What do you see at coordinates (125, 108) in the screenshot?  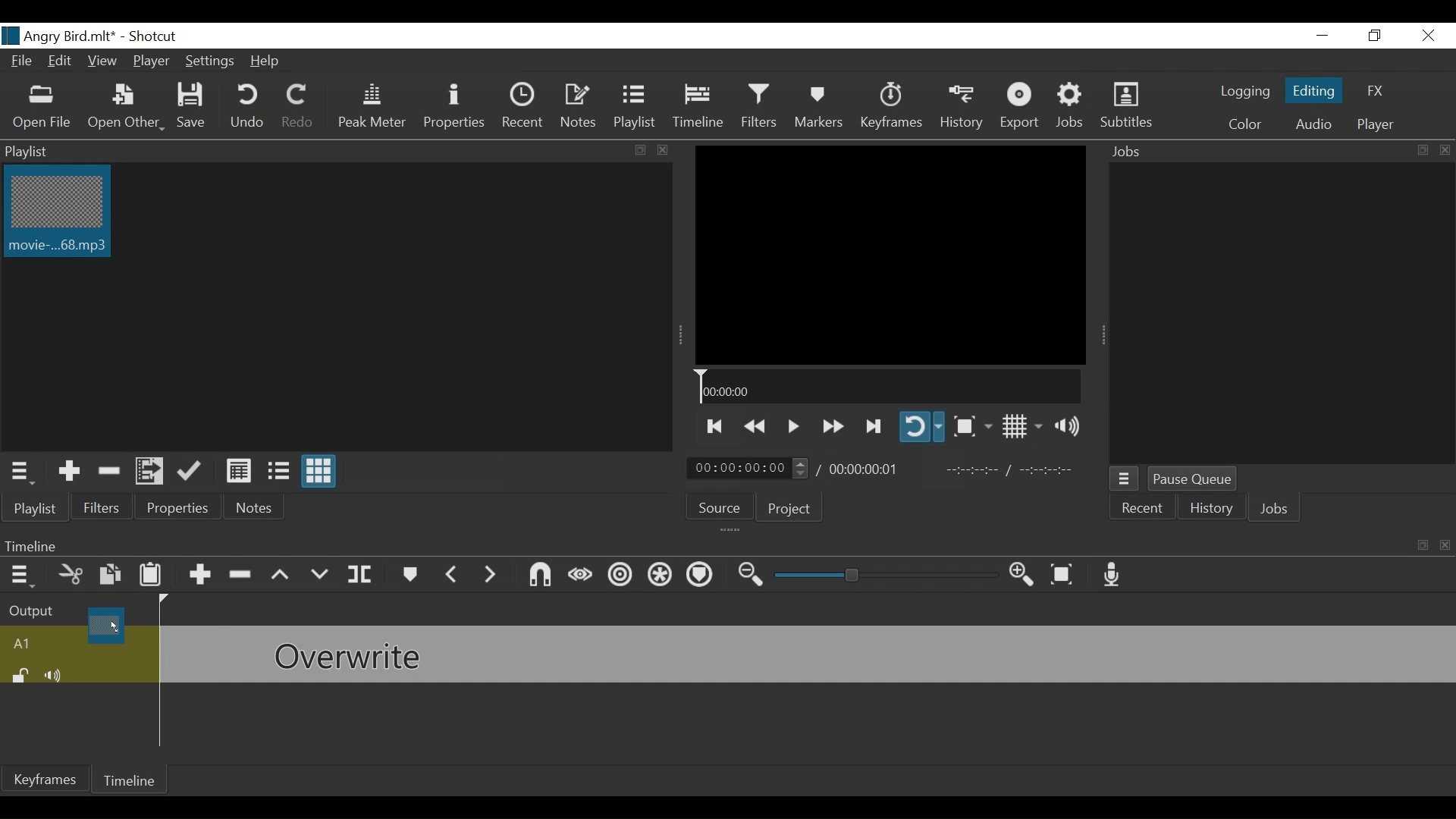 I see `Open Other` at bounding box center [125, 108].